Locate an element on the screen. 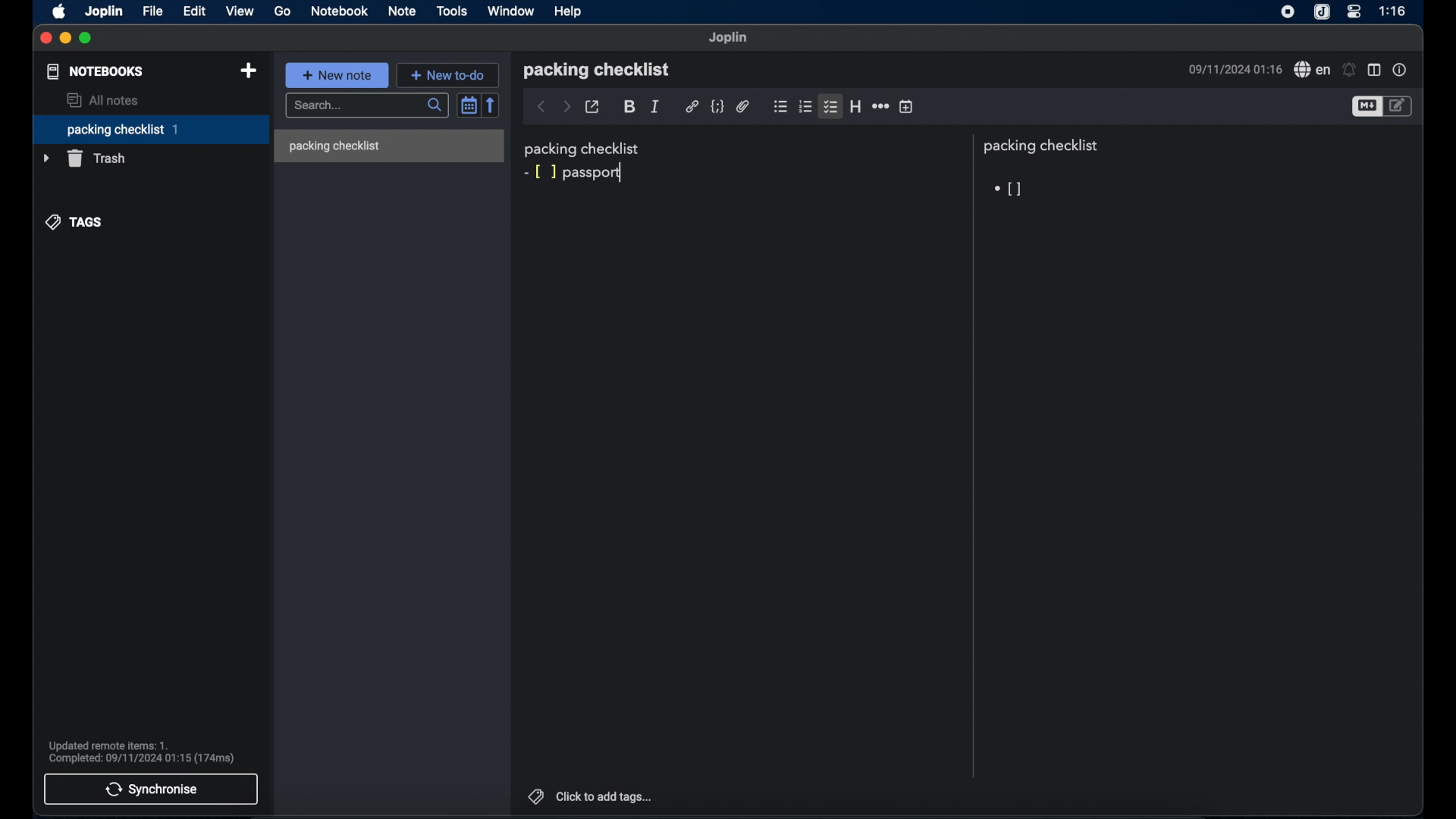 This screenshot has width=1456, height=819. set alarm is located at coordinates (1349, 69).